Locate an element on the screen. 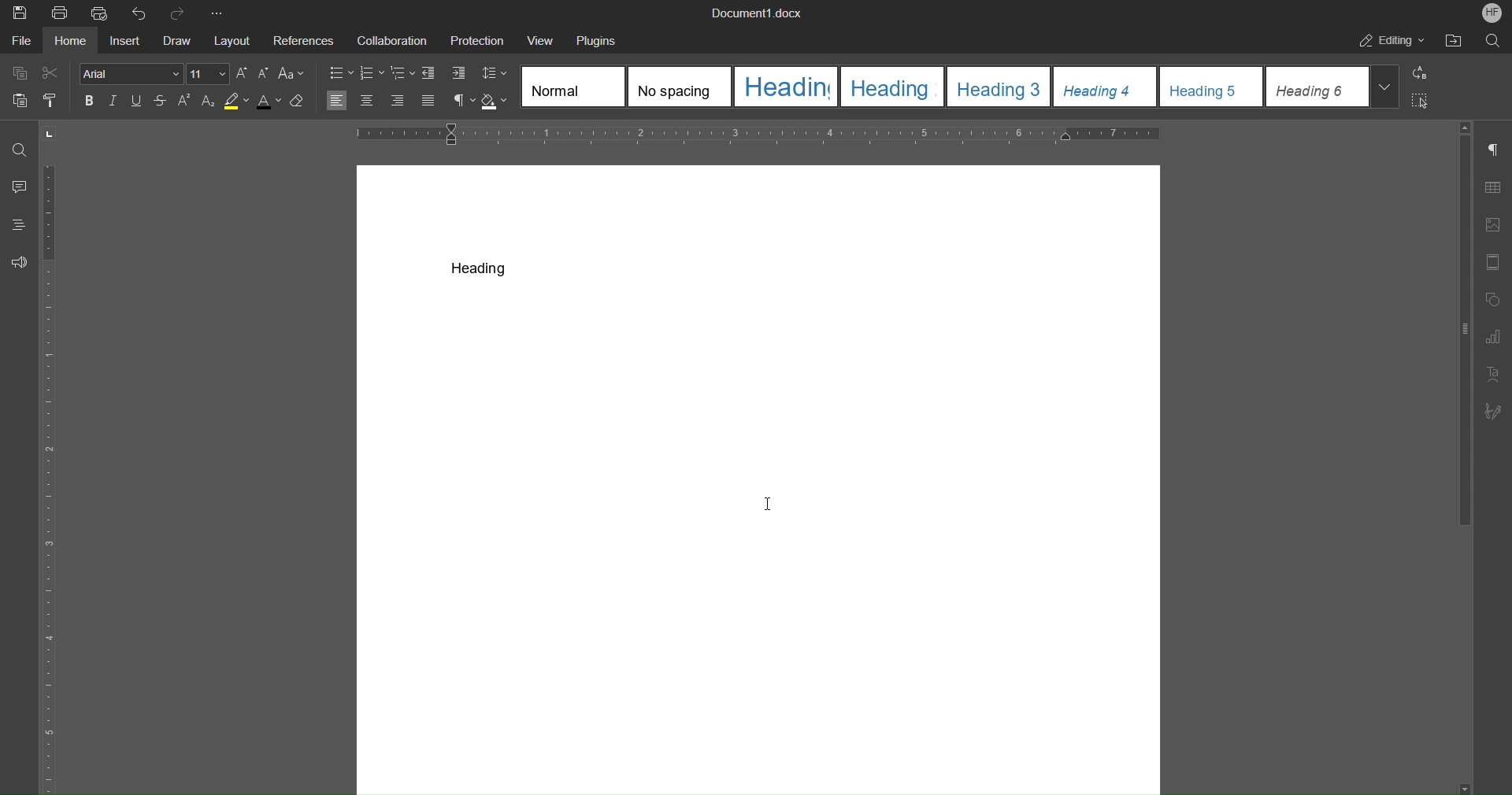  View is located at coordinates (540, 39).